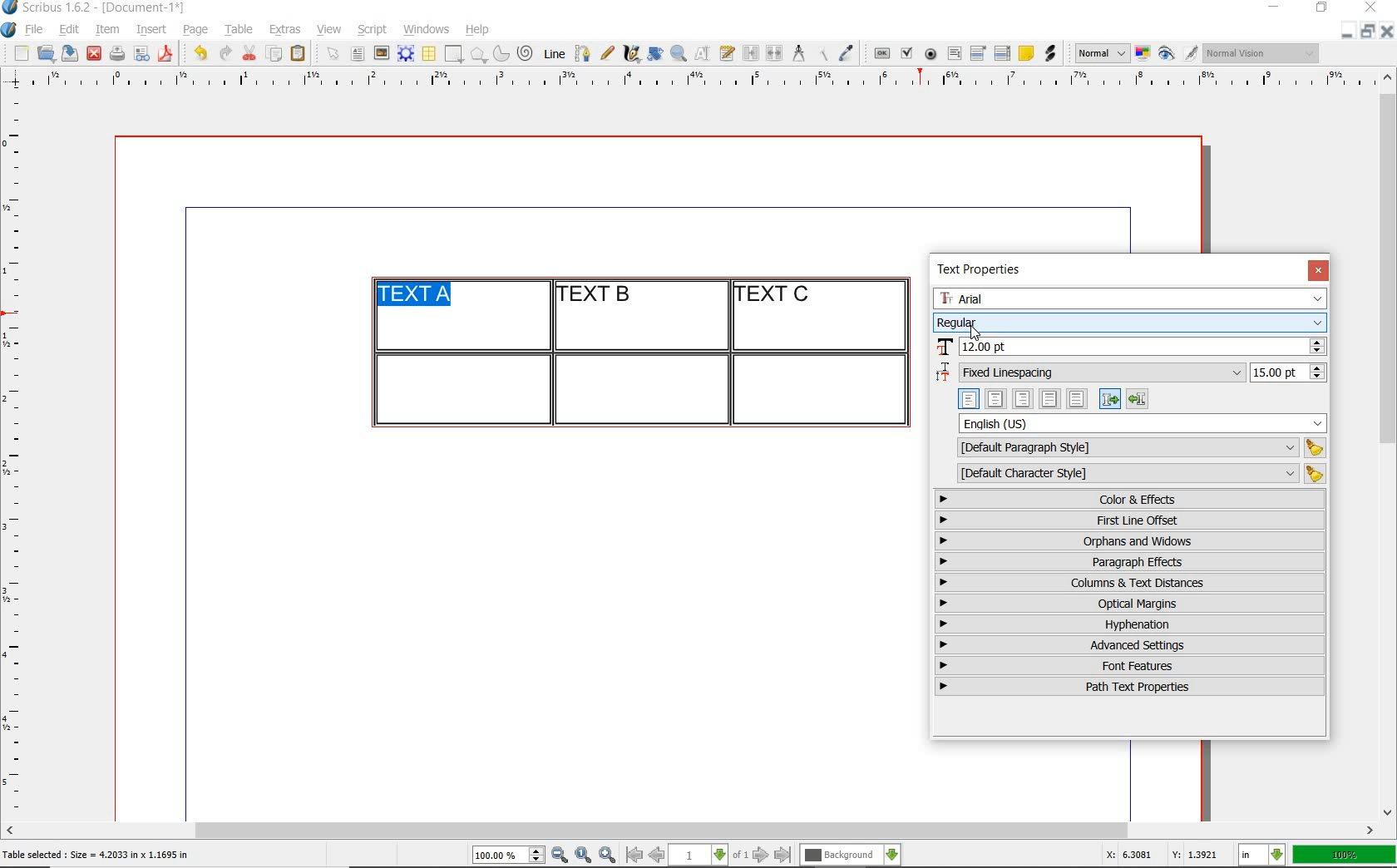 The image size is (1397, 868). What do you see at coordinates (1276, 8) in the screenshot?
I see `minimize` at bounding box center [1276, 8].